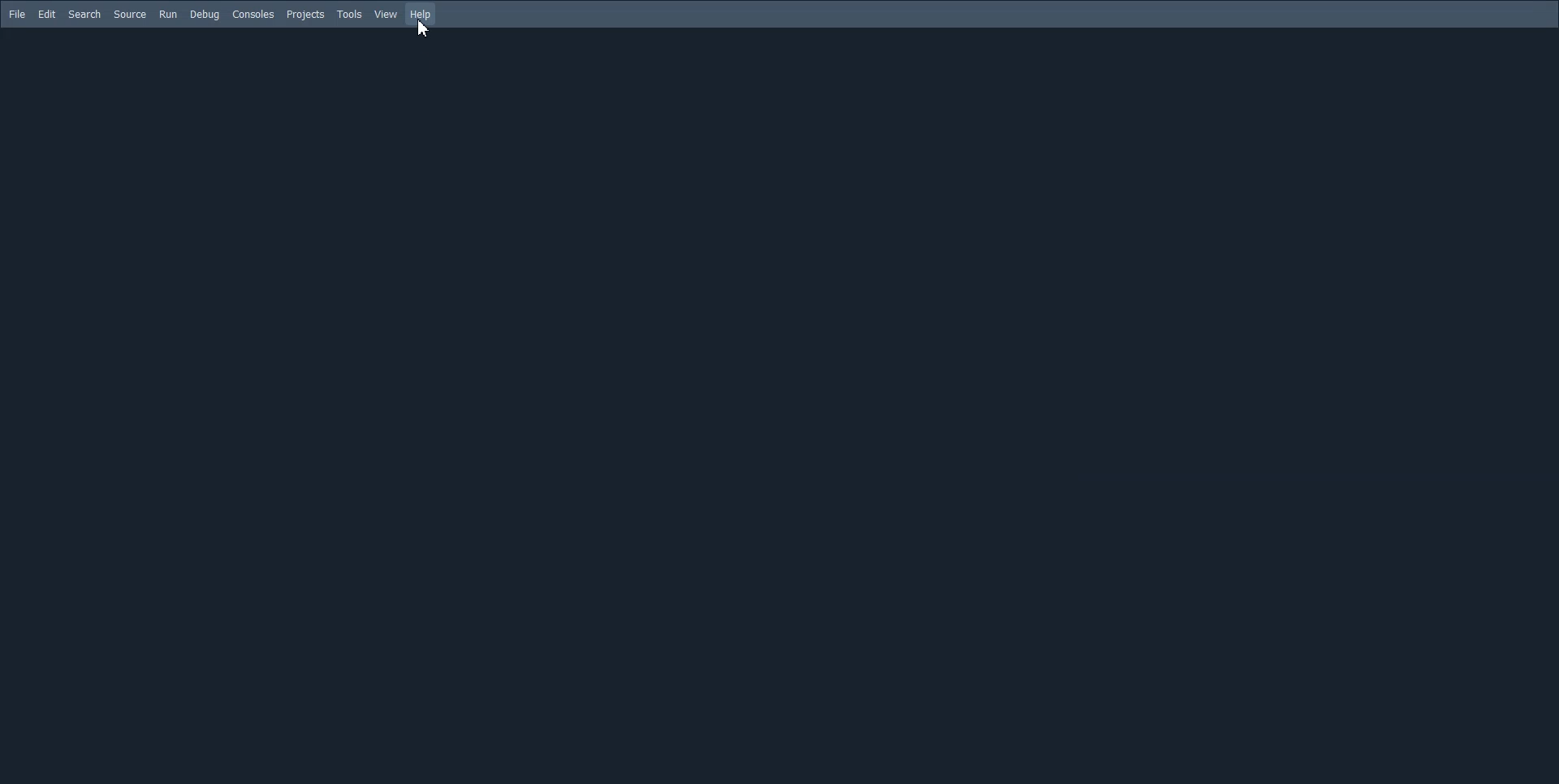  What do you see at coordinates (386, 14) in the screenshot?
I see `View` at bounding box center [386, 14].